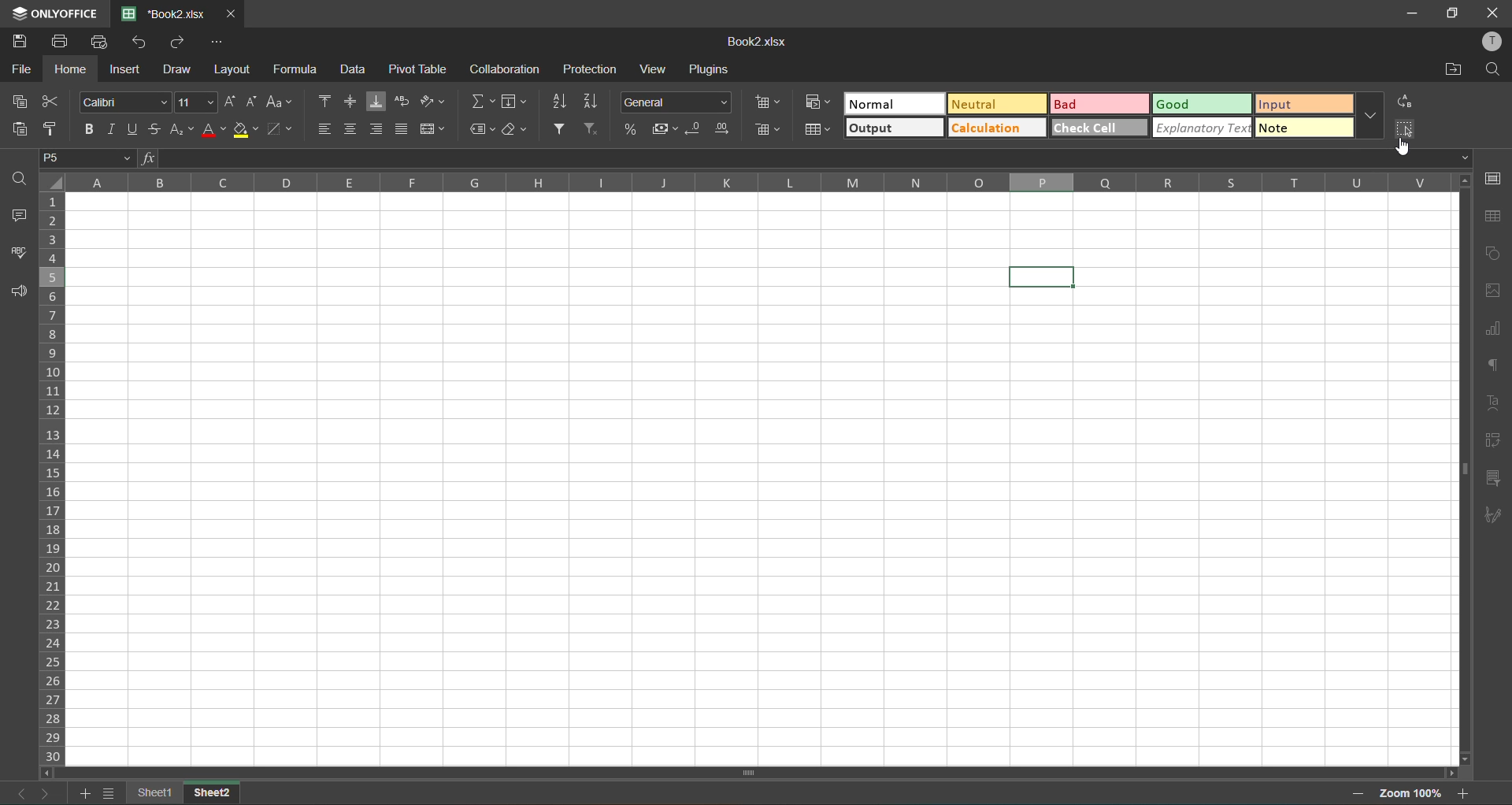 The image size is (1512, 805). What do you see at coordinates (1494, 253) in the screenshot?
I see `shapes` at bounding box center [1494, 253].